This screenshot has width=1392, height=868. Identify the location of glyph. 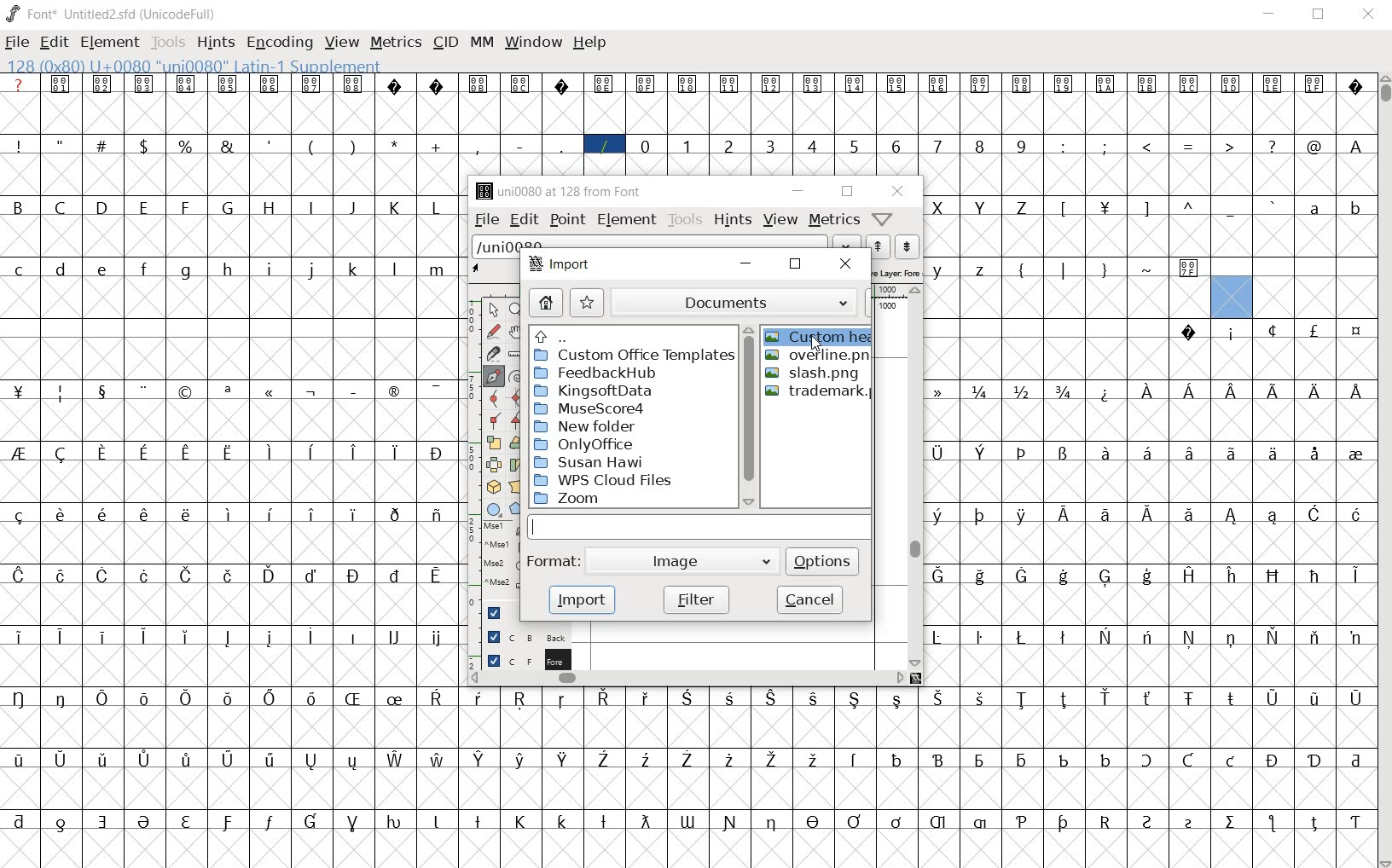
(104, 759).